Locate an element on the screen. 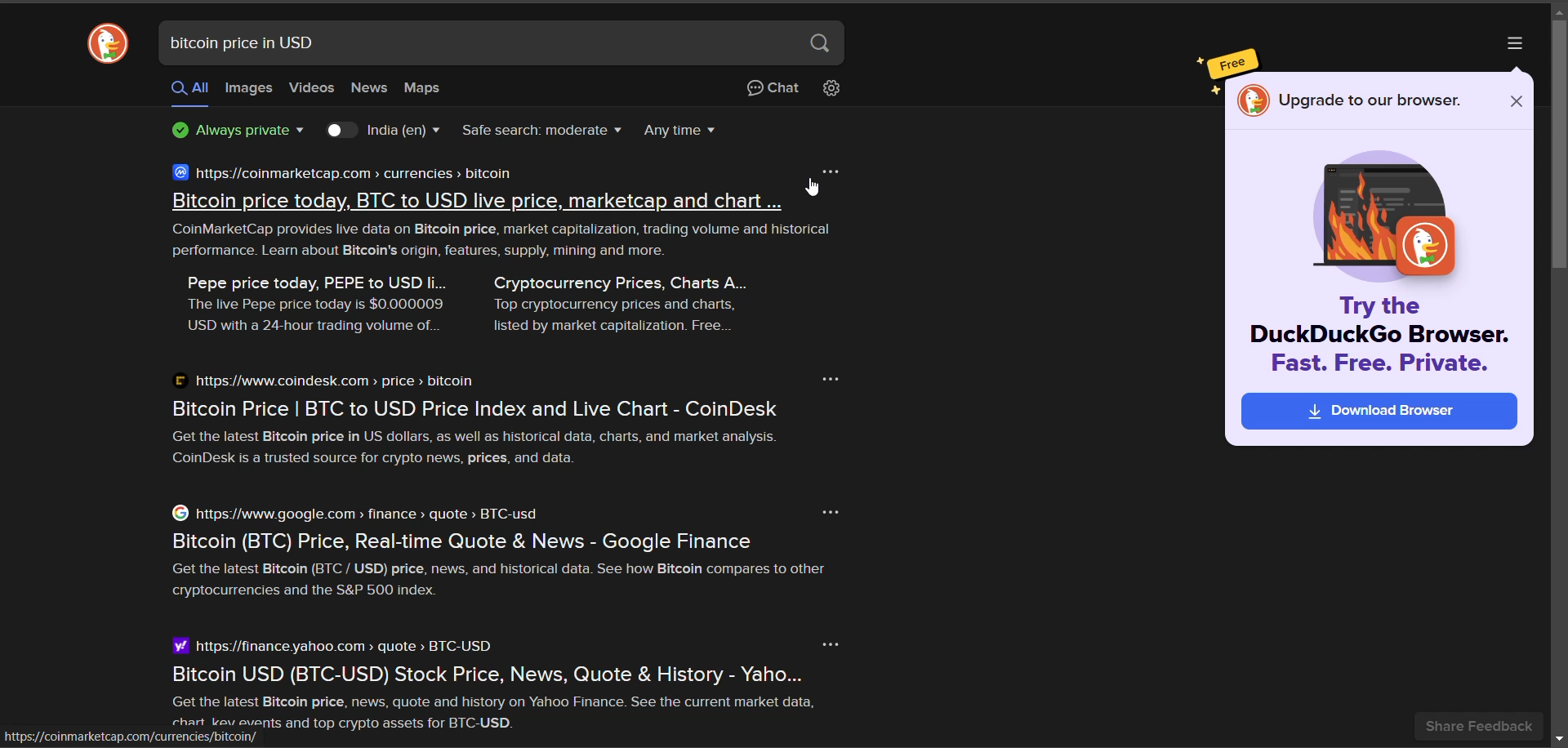  Get the latest Bitcoin price in US dollars, as well as historical data, charts, and market analysis.
CoinDesk is a trusted source for crypto news, prices, and data. is located at coordinates (498, 449).